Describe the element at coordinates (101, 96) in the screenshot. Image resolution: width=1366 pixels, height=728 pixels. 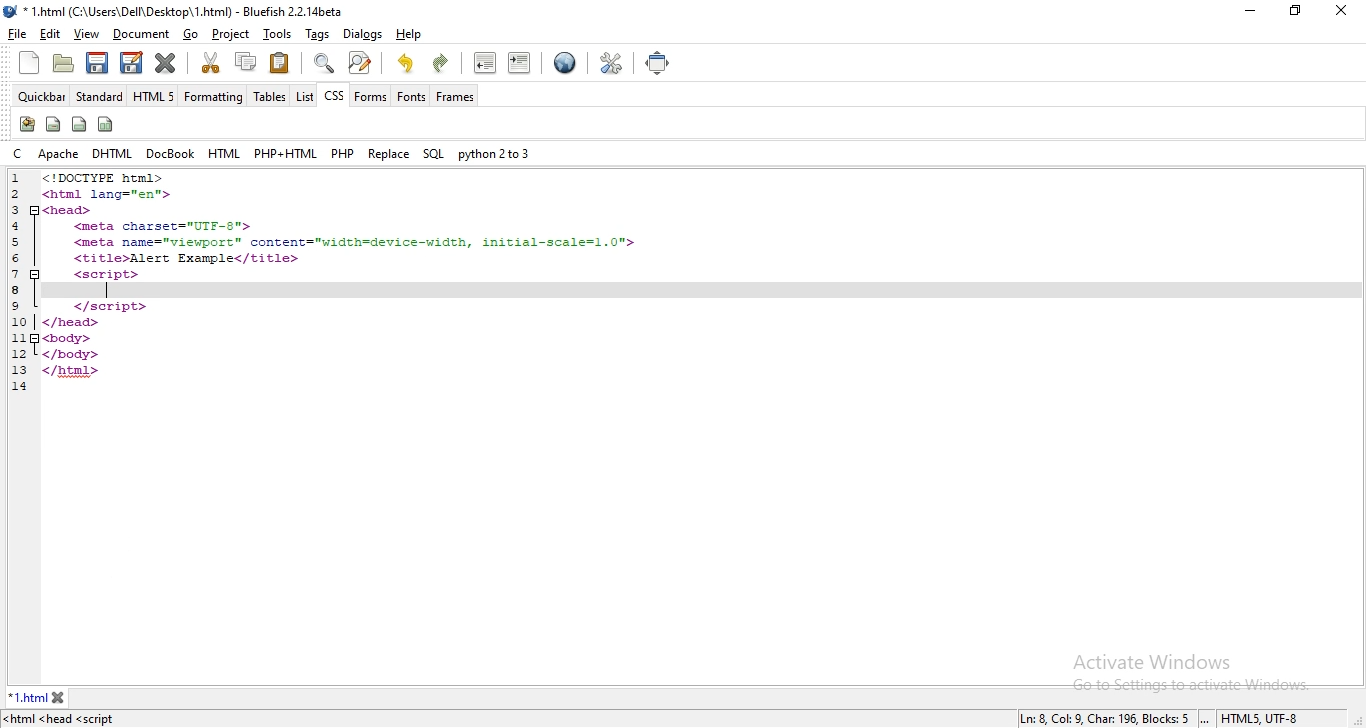
I see `standard` at that location.